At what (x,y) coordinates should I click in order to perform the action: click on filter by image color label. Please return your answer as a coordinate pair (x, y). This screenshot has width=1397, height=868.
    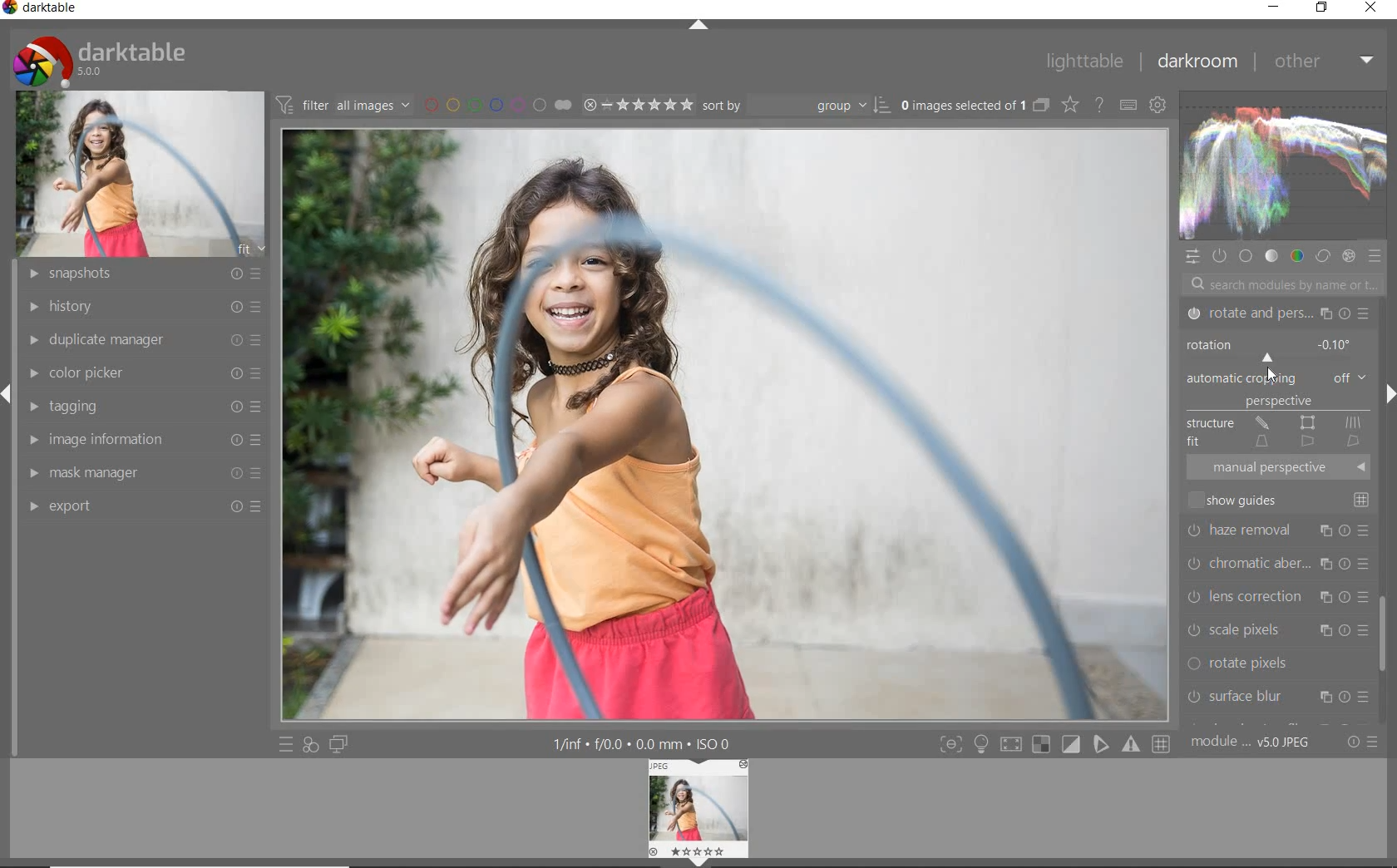
    Looking at the image, I should click on (497, 104).